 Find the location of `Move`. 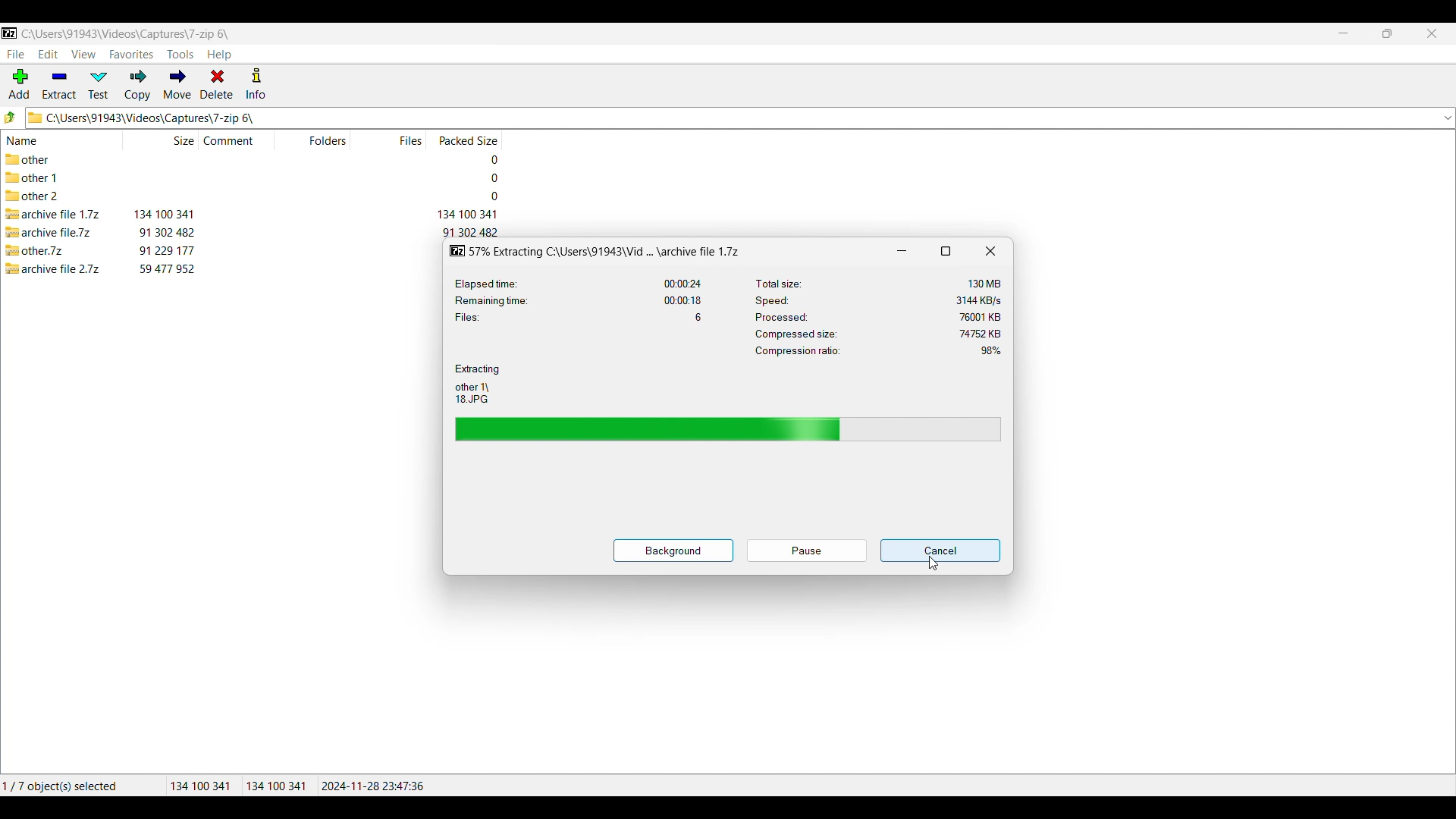

Move is located at coordinates (177, 84).